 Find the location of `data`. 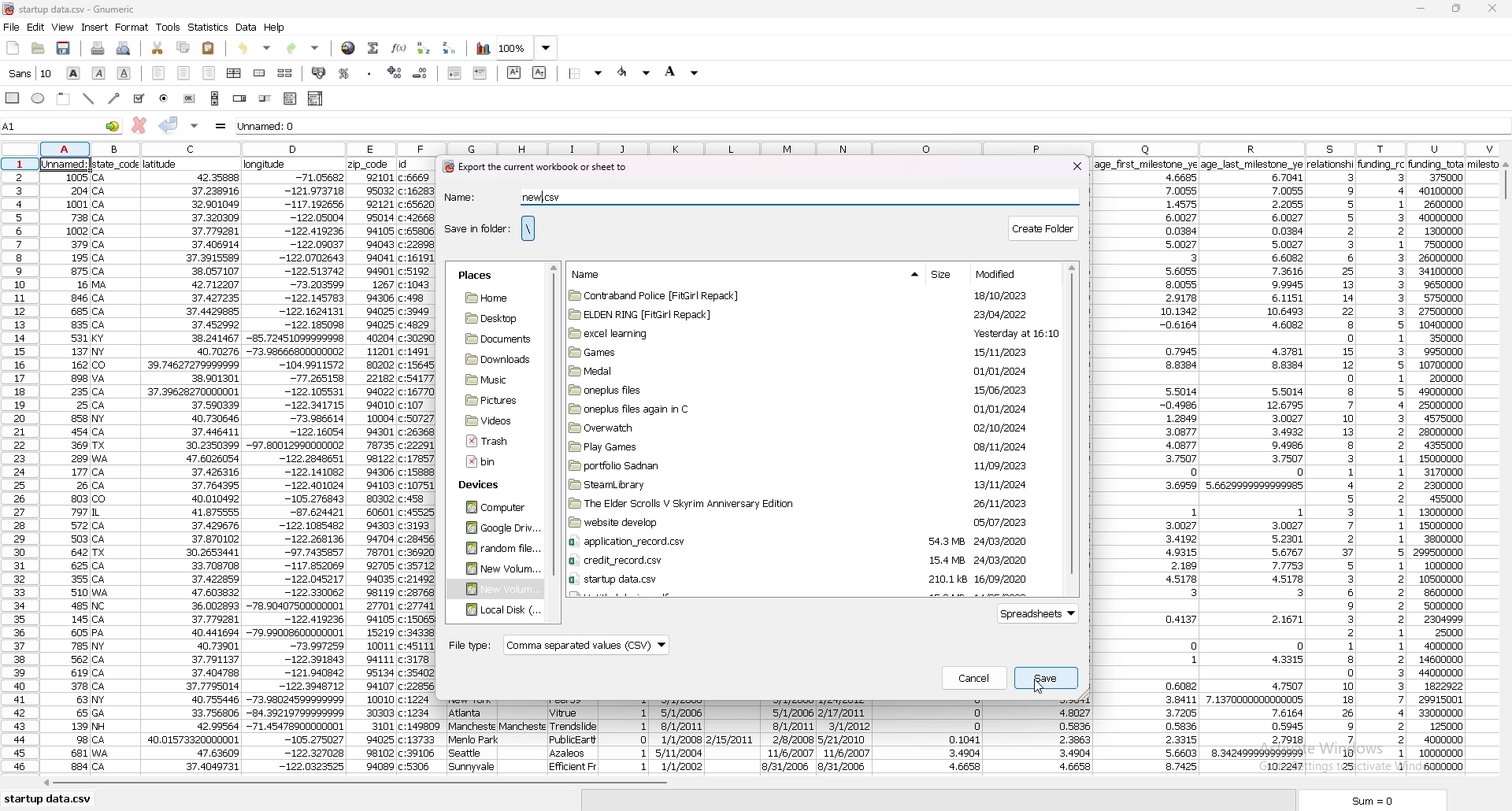

data is located at coordinates (626, 734).